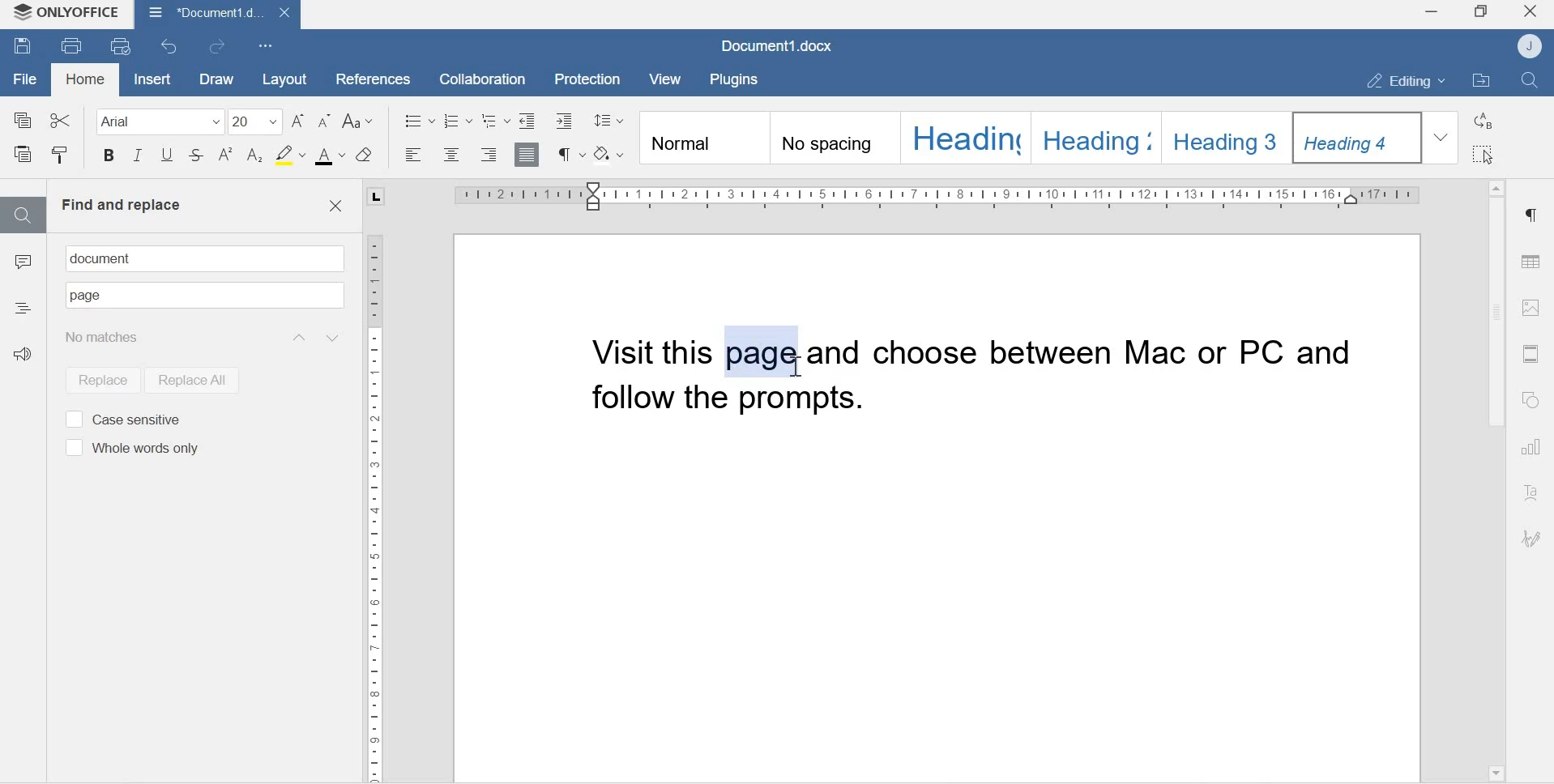 The image size is (1554, 784). Describe the element at coordinates (835, 140) in the screenshot. I see `No spacing` at that location.